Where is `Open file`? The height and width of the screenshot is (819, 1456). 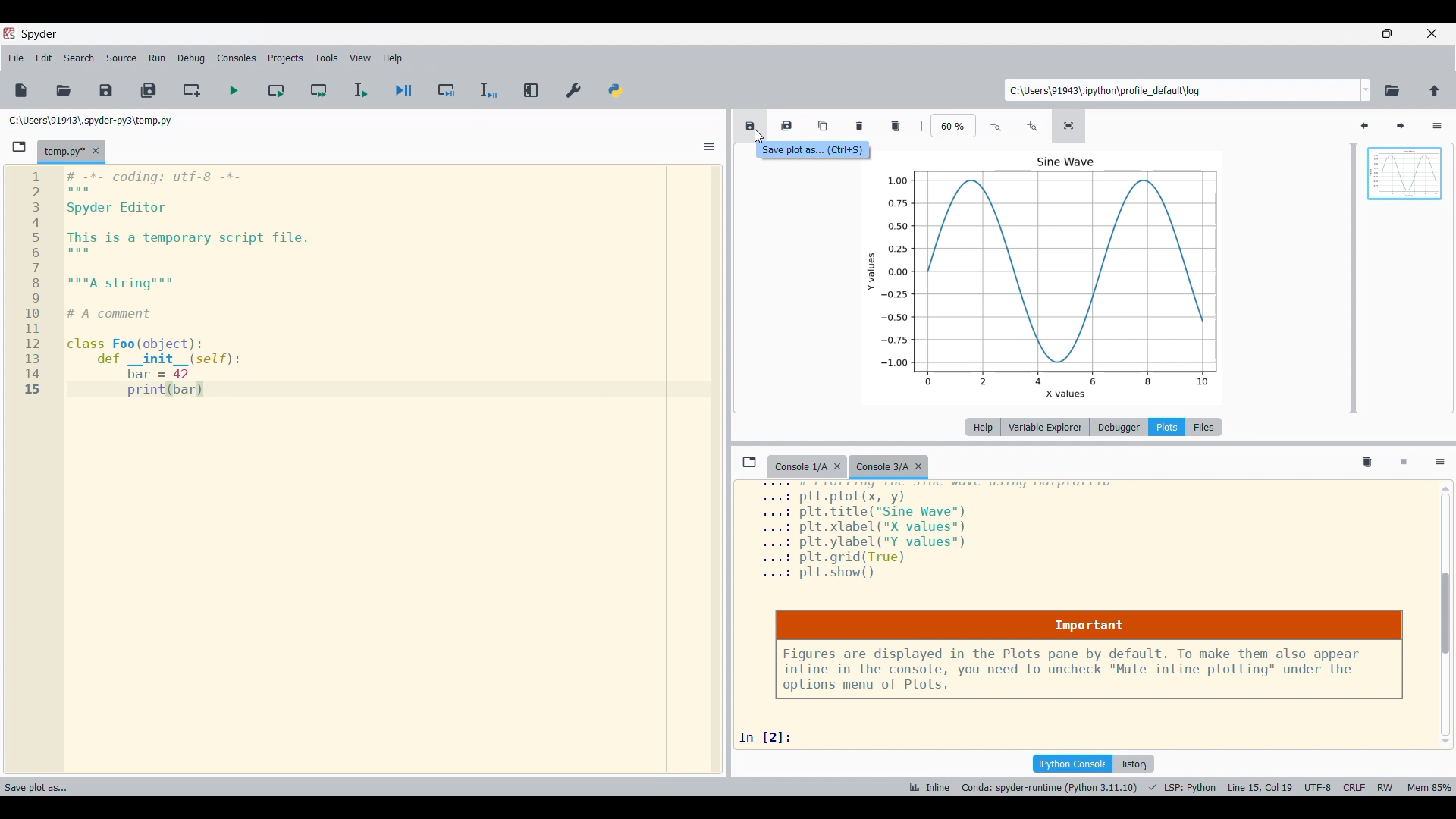
Open file is located at coordinates (64, 90).